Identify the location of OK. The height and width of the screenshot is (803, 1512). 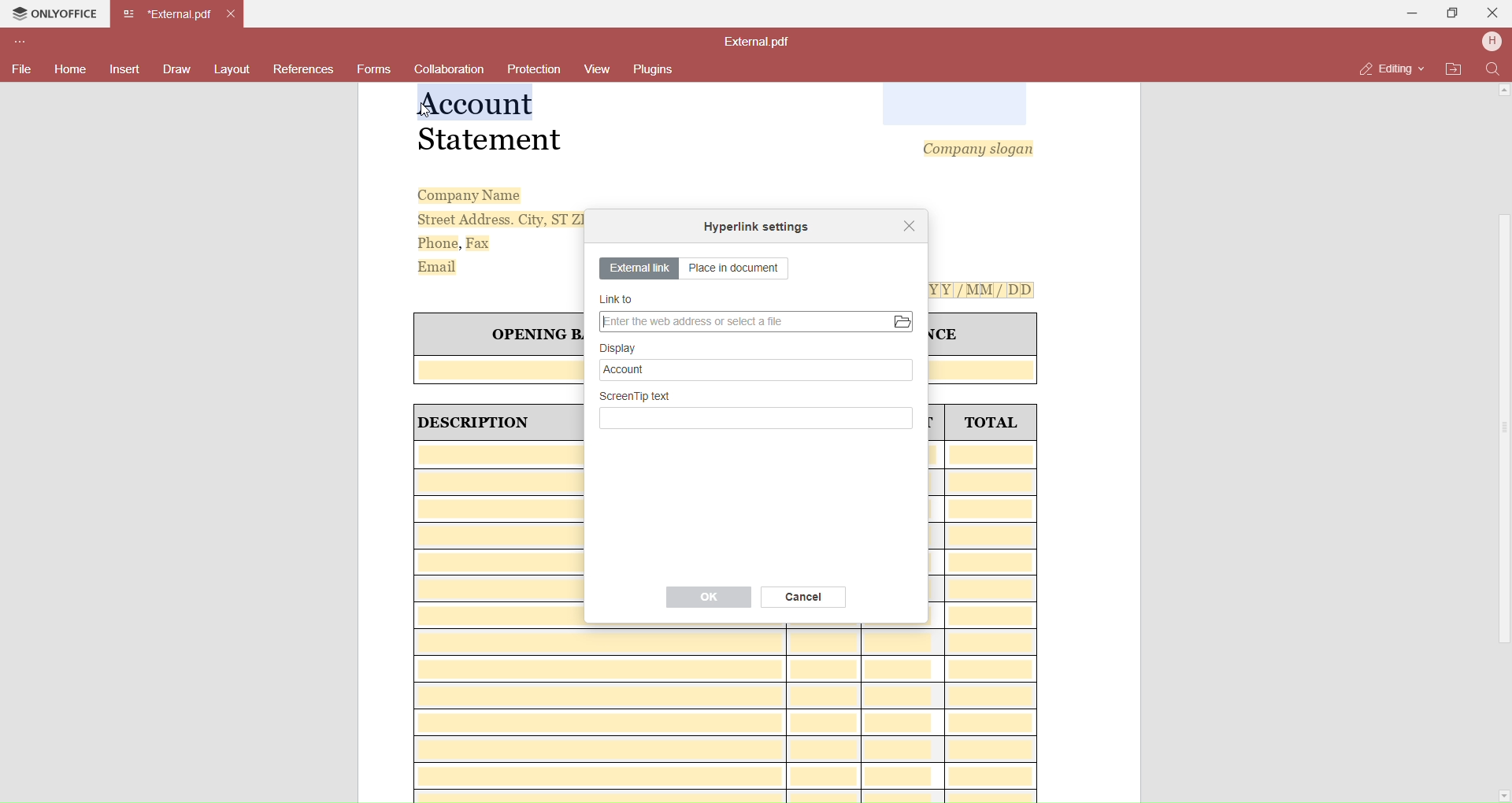
(707, 596).